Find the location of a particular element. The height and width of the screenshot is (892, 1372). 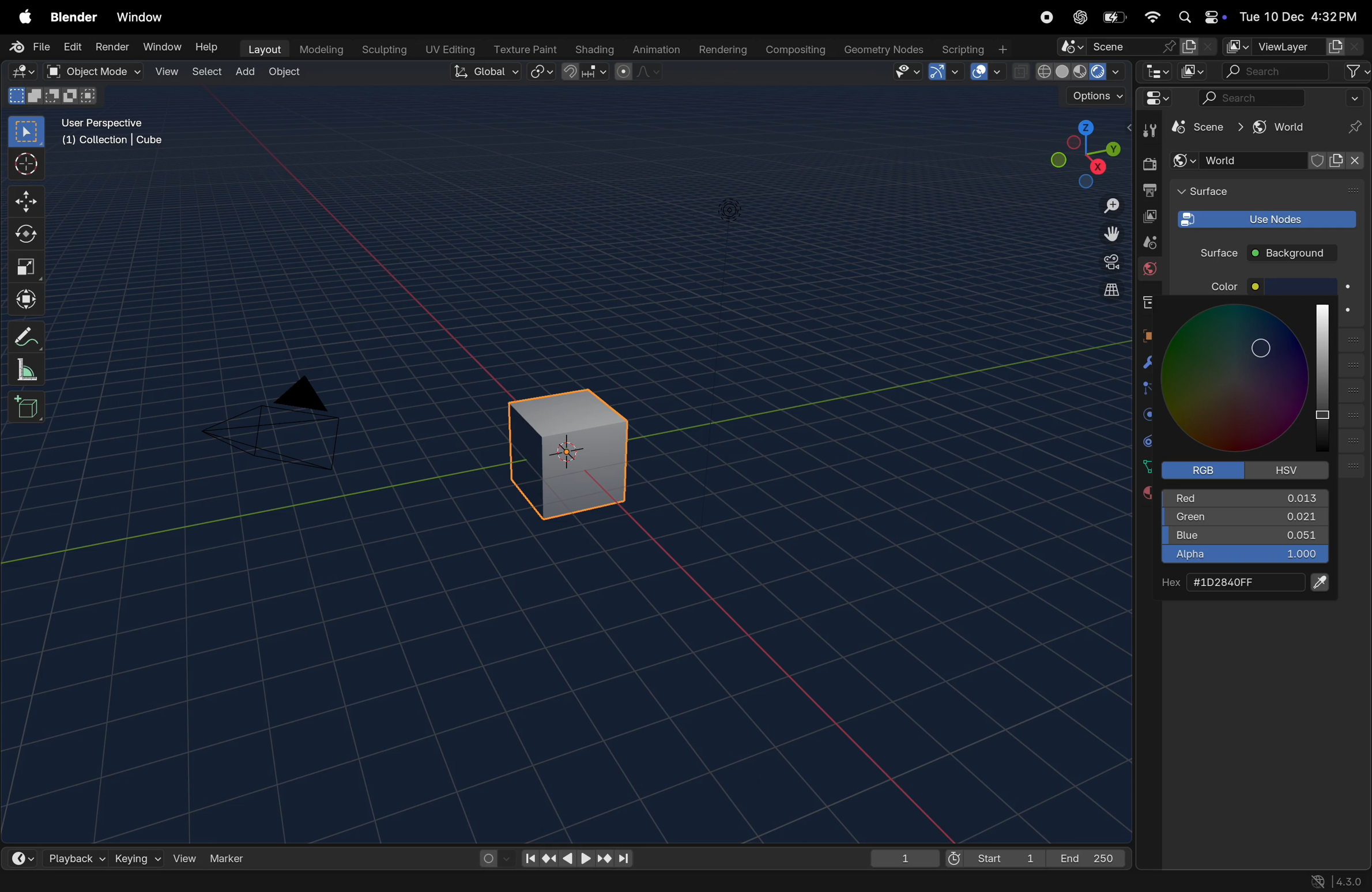

cube is located at coordinates (1196, 127).